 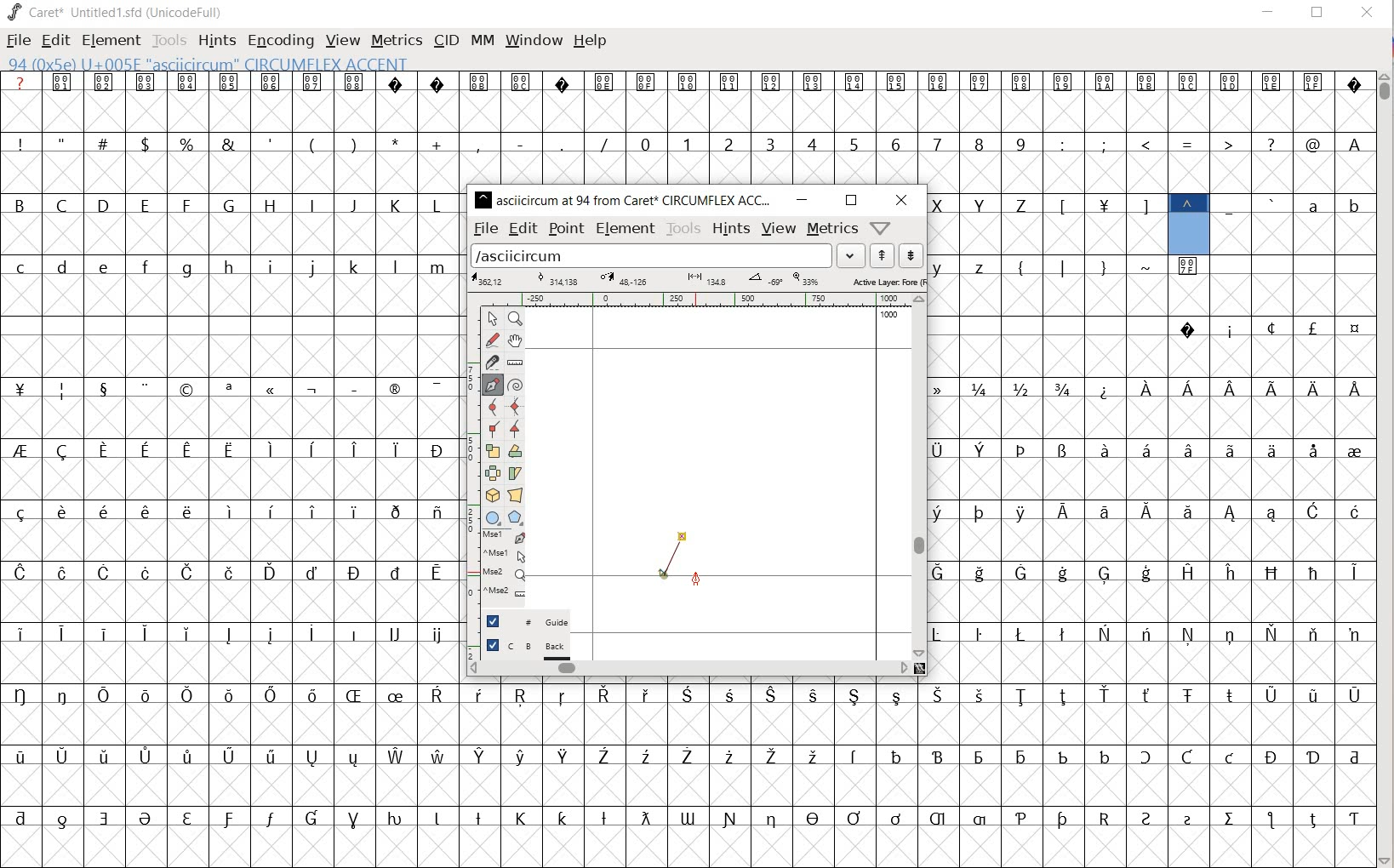 I want to click on METRICS, so click(x=397, y=41).